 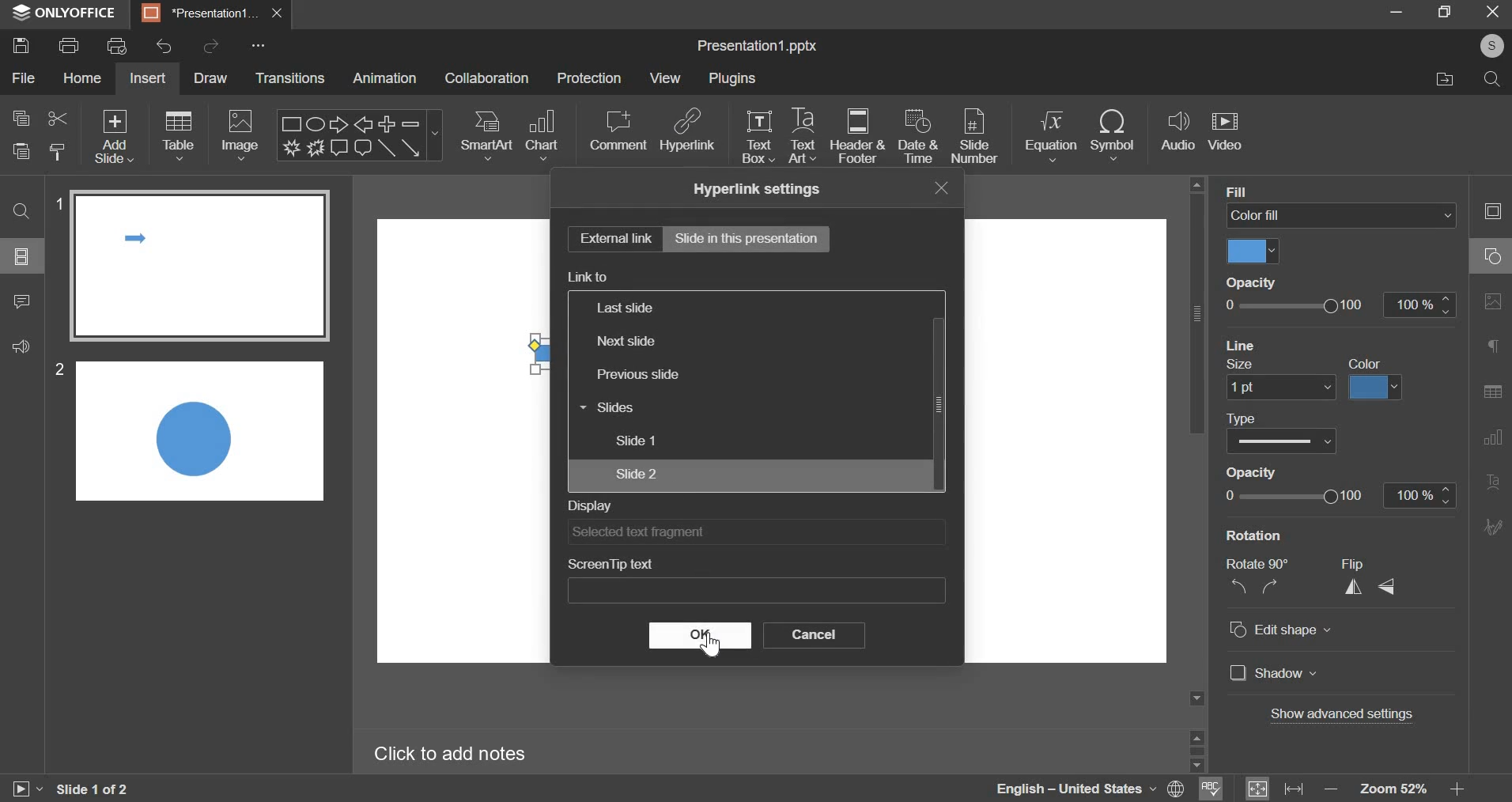 I want to click on Ellipse, so click(x=316, y=123).